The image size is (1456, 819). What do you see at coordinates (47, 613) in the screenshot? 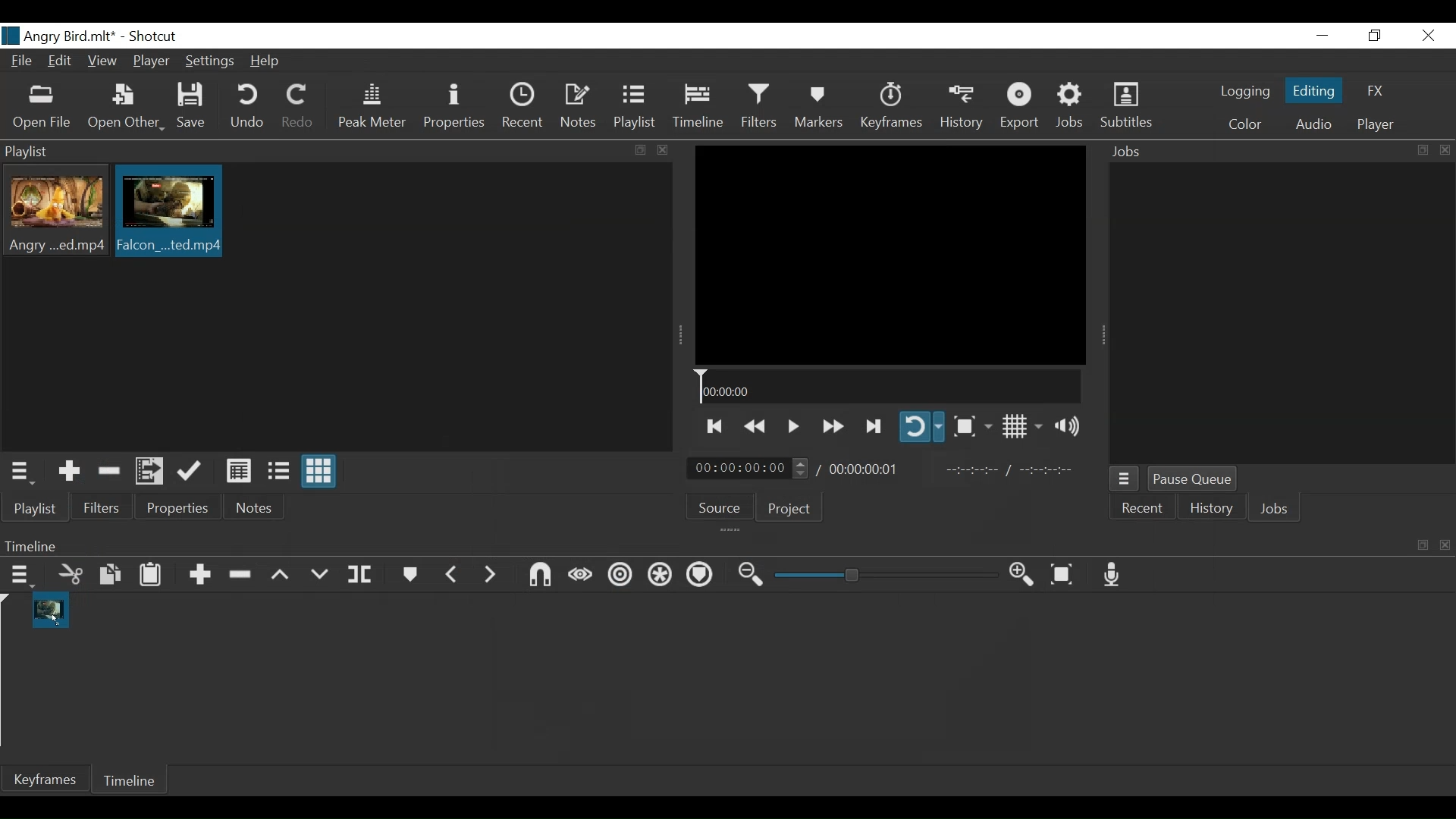
I see `Clip` at bounding box center [47, 613].